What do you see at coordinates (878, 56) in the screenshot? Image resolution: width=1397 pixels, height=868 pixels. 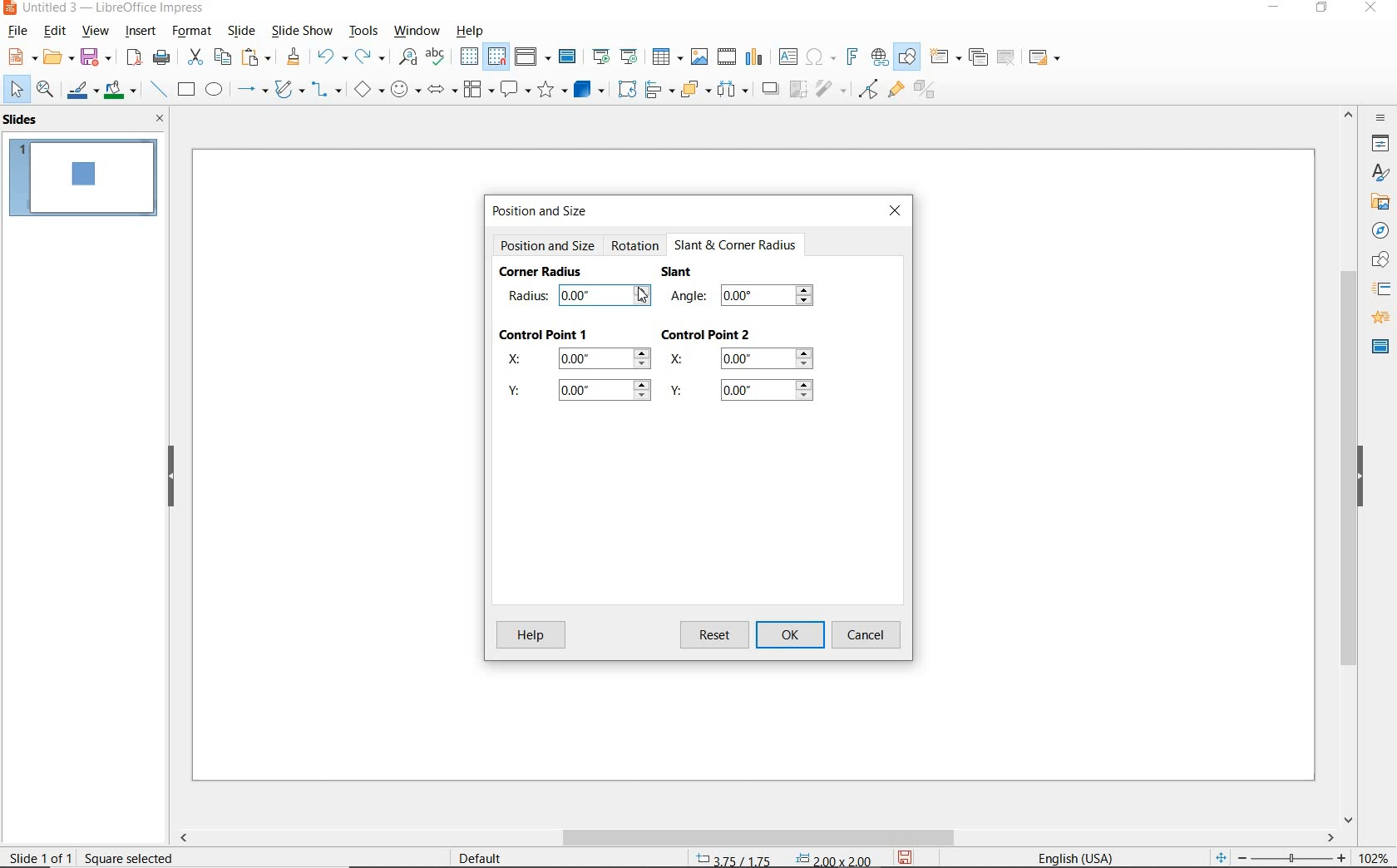 I see `insert hyperlink` at bounding box center [878, 56].